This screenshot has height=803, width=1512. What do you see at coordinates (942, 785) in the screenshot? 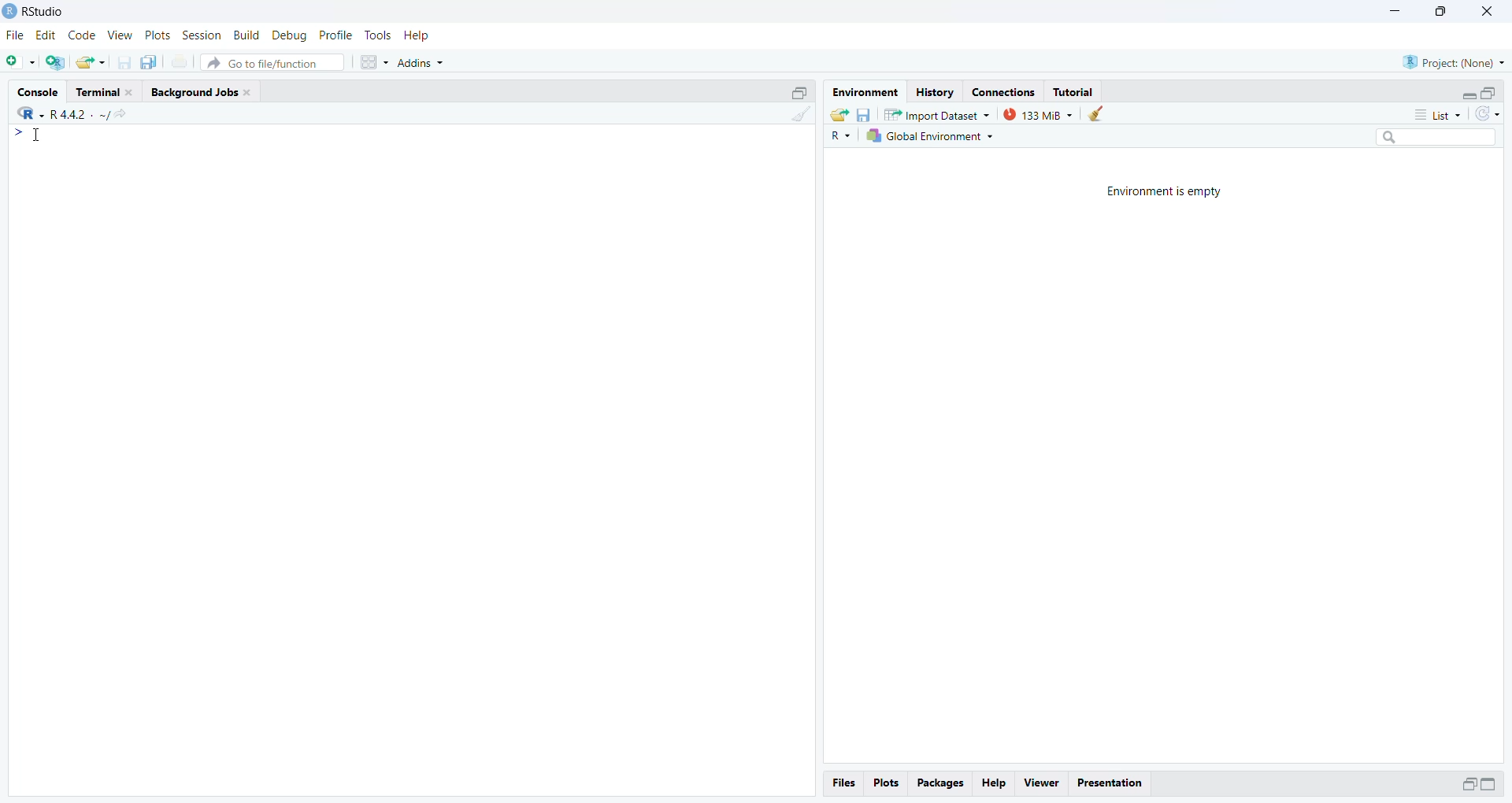
I see `Packages` at bounding box center [942, 785].